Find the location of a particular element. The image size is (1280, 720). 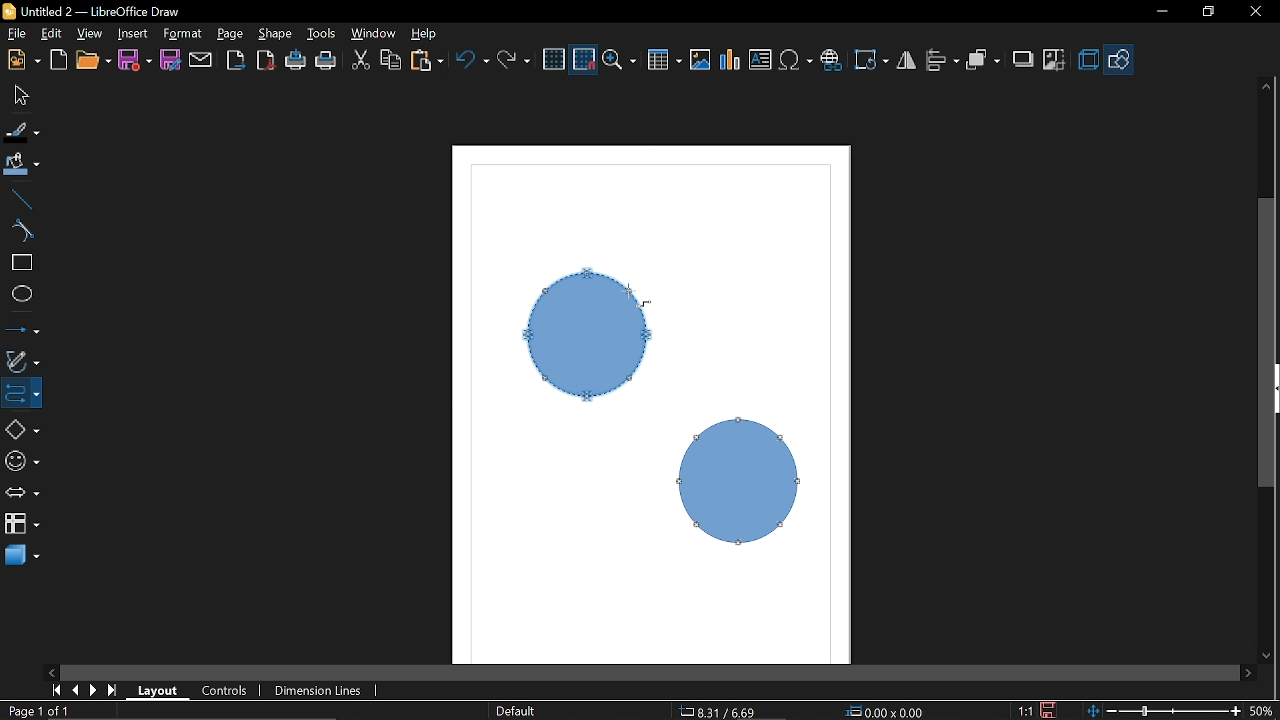

Fill line is located at coordinates (23, 132).